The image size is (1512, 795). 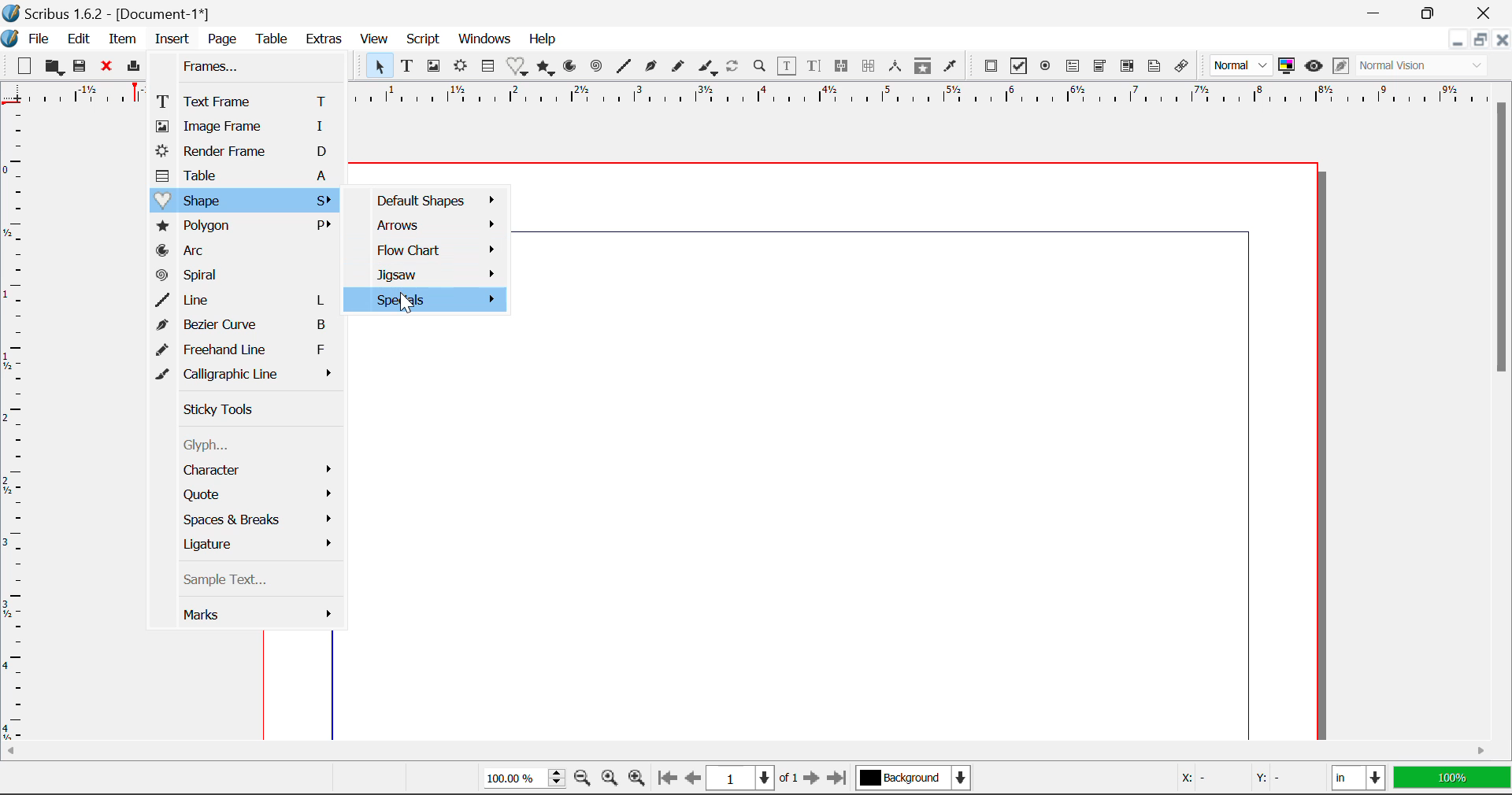 I want to click on Previous, so click(x=694, y=779).